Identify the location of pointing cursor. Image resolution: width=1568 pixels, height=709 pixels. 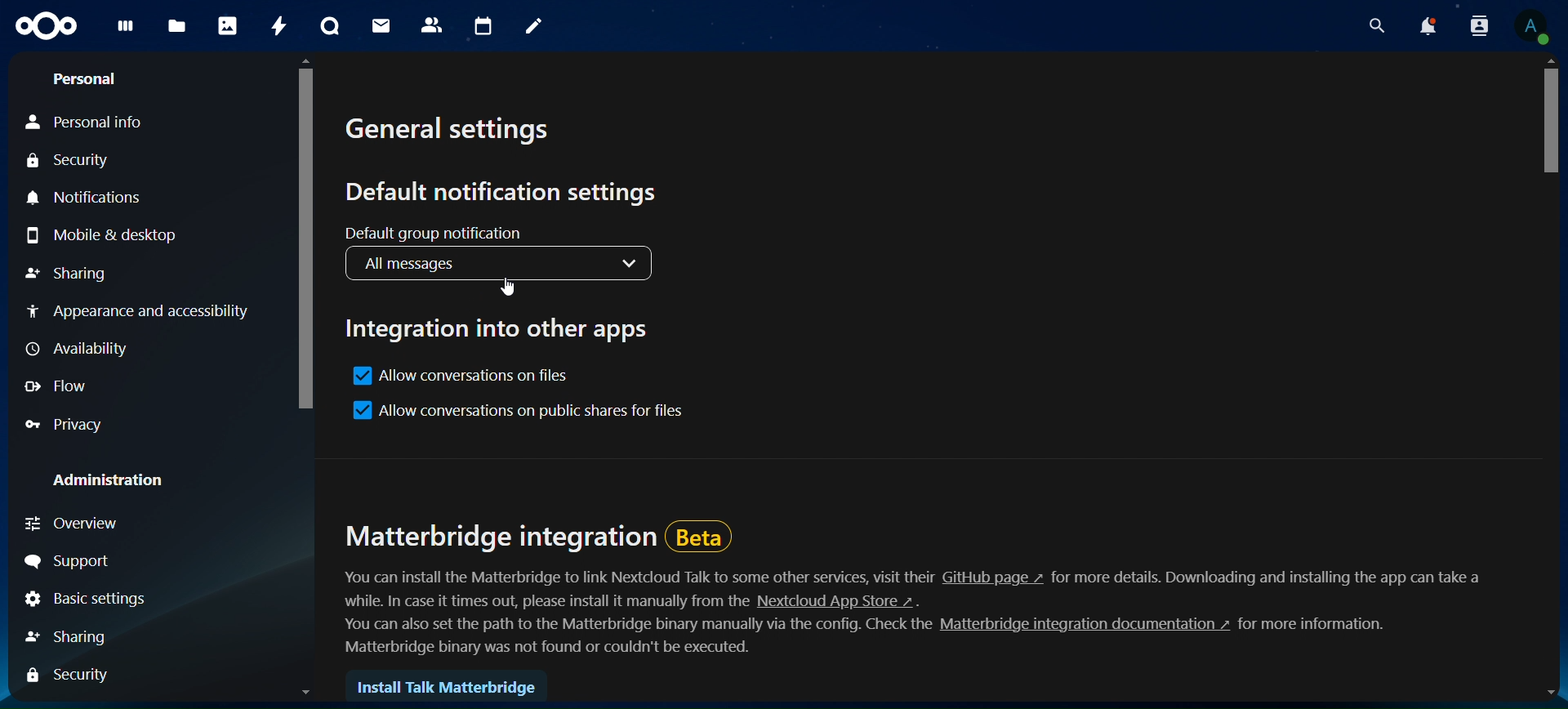
(508, 288).